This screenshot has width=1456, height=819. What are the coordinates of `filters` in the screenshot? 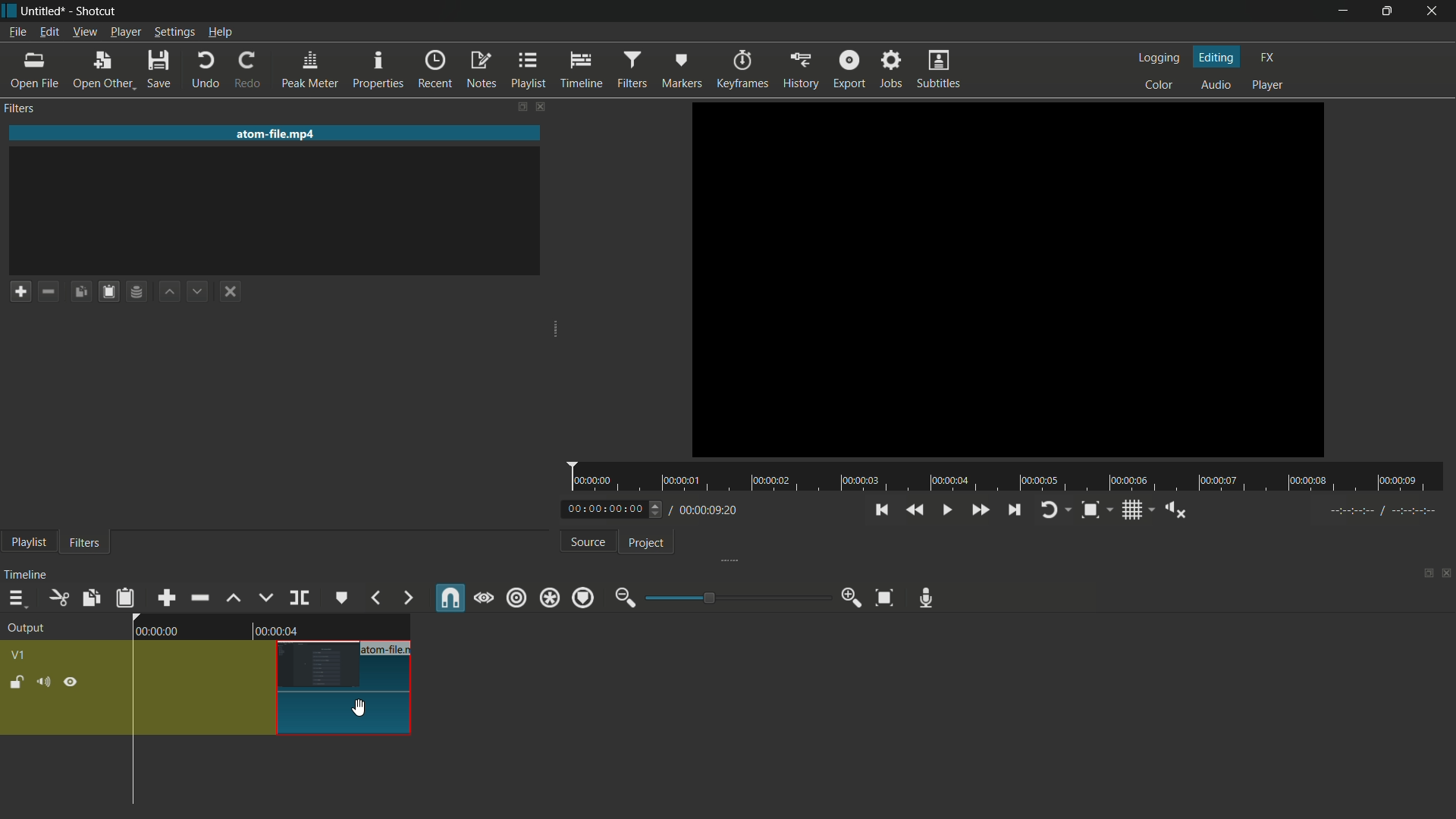 It's located at (20, 109).